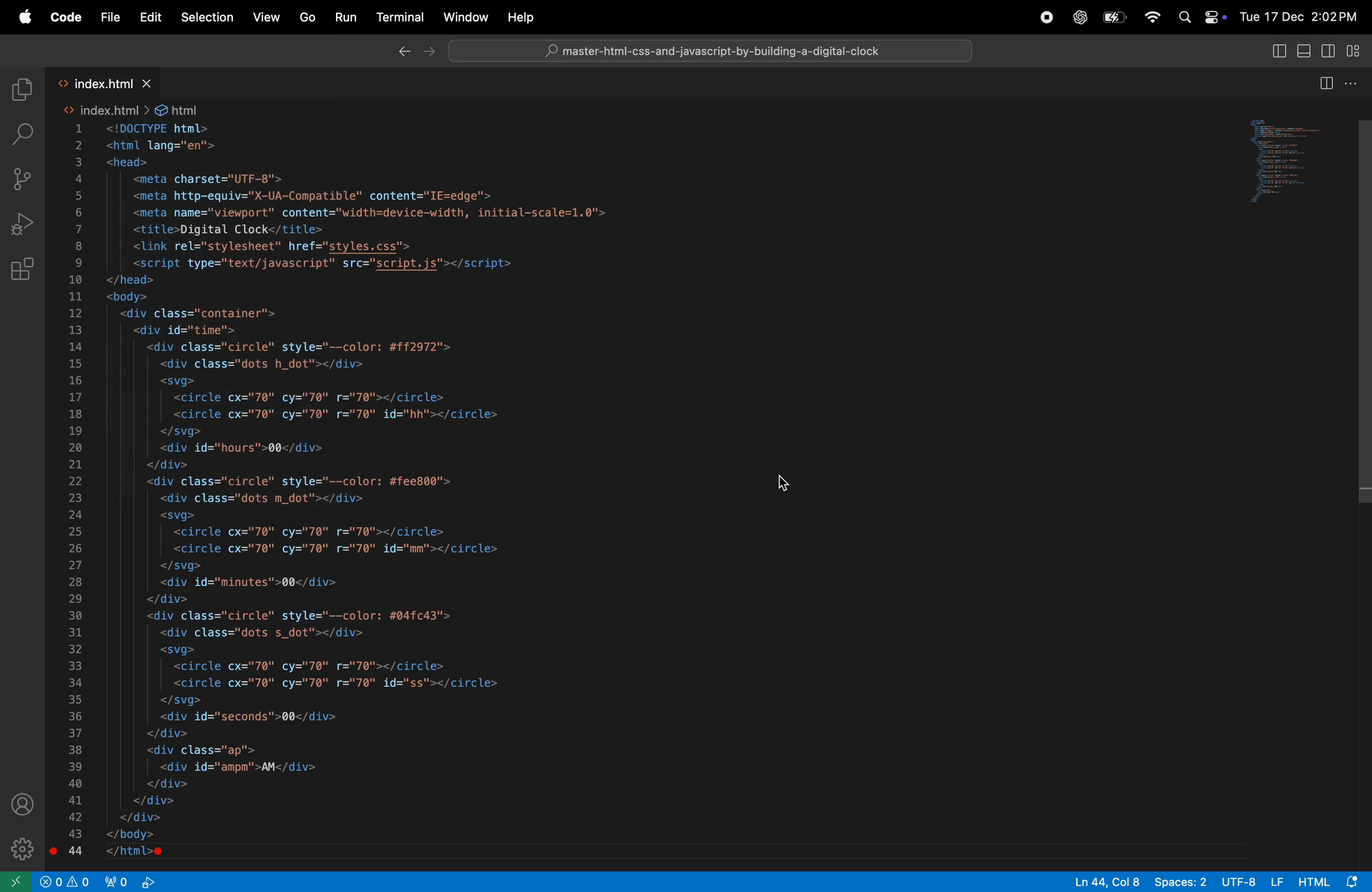 The width and height of the screenshot is (1372, 892). What do you see at coordinates (348, 17) in the screenshot?
I see `run` at bounding box center [348, 17].